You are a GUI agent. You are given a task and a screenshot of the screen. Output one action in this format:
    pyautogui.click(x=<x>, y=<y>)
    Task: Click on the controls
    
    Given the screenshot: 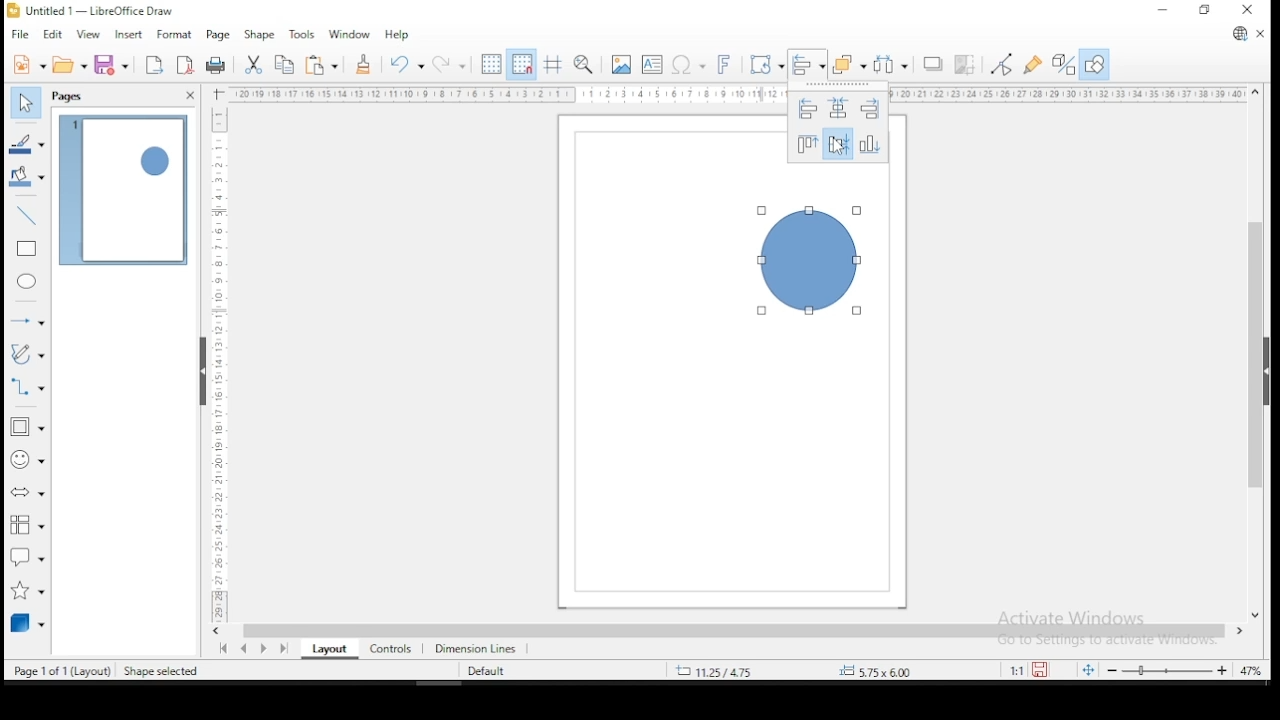 What is the action you would take?
    pyautogui.click(x=388, y=647)
    